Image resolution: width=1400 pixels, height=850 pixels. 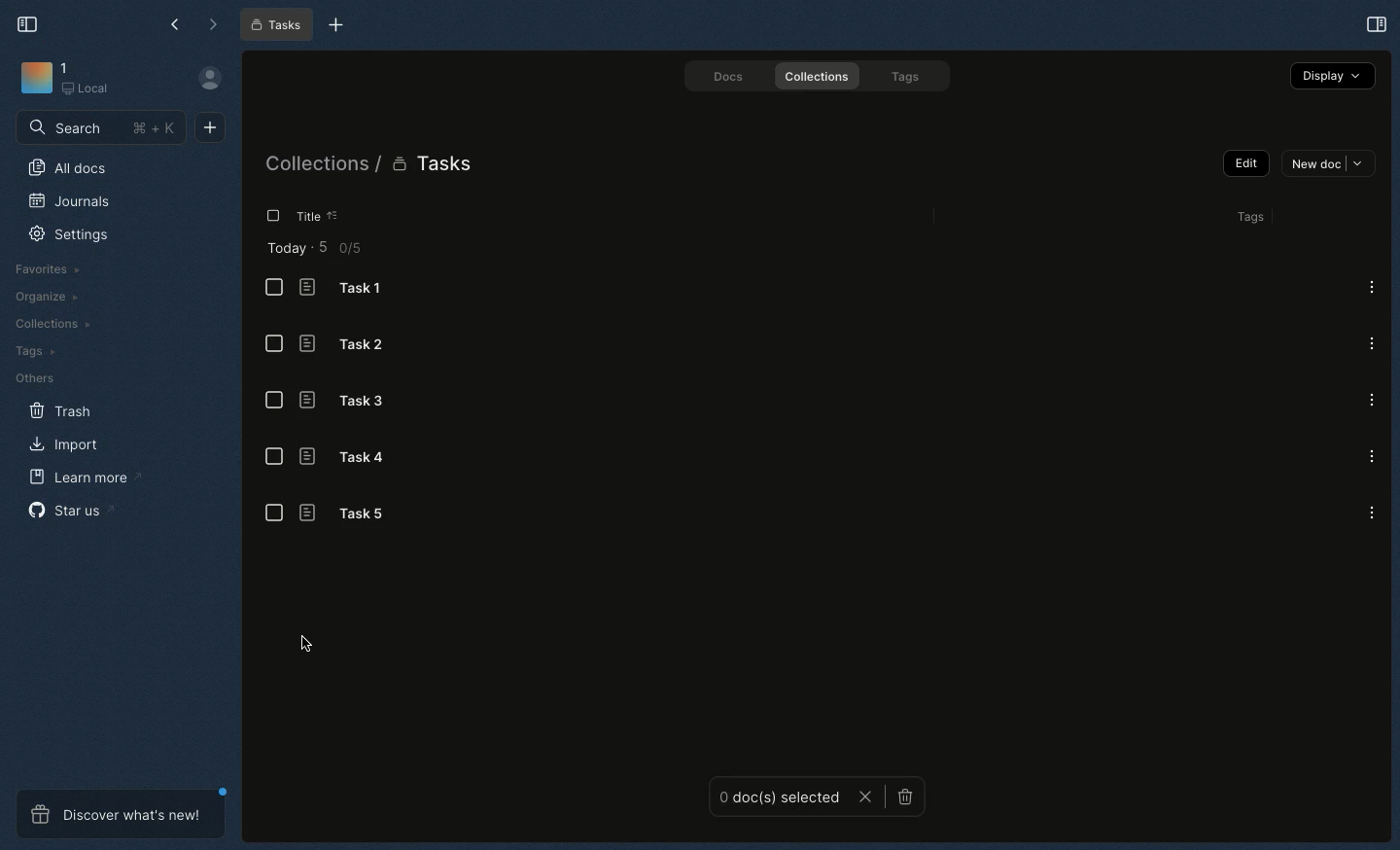 What do you see at coordinates (317, 166) in the screenshot?
I see `Collections` at bounding box center [317, 166].